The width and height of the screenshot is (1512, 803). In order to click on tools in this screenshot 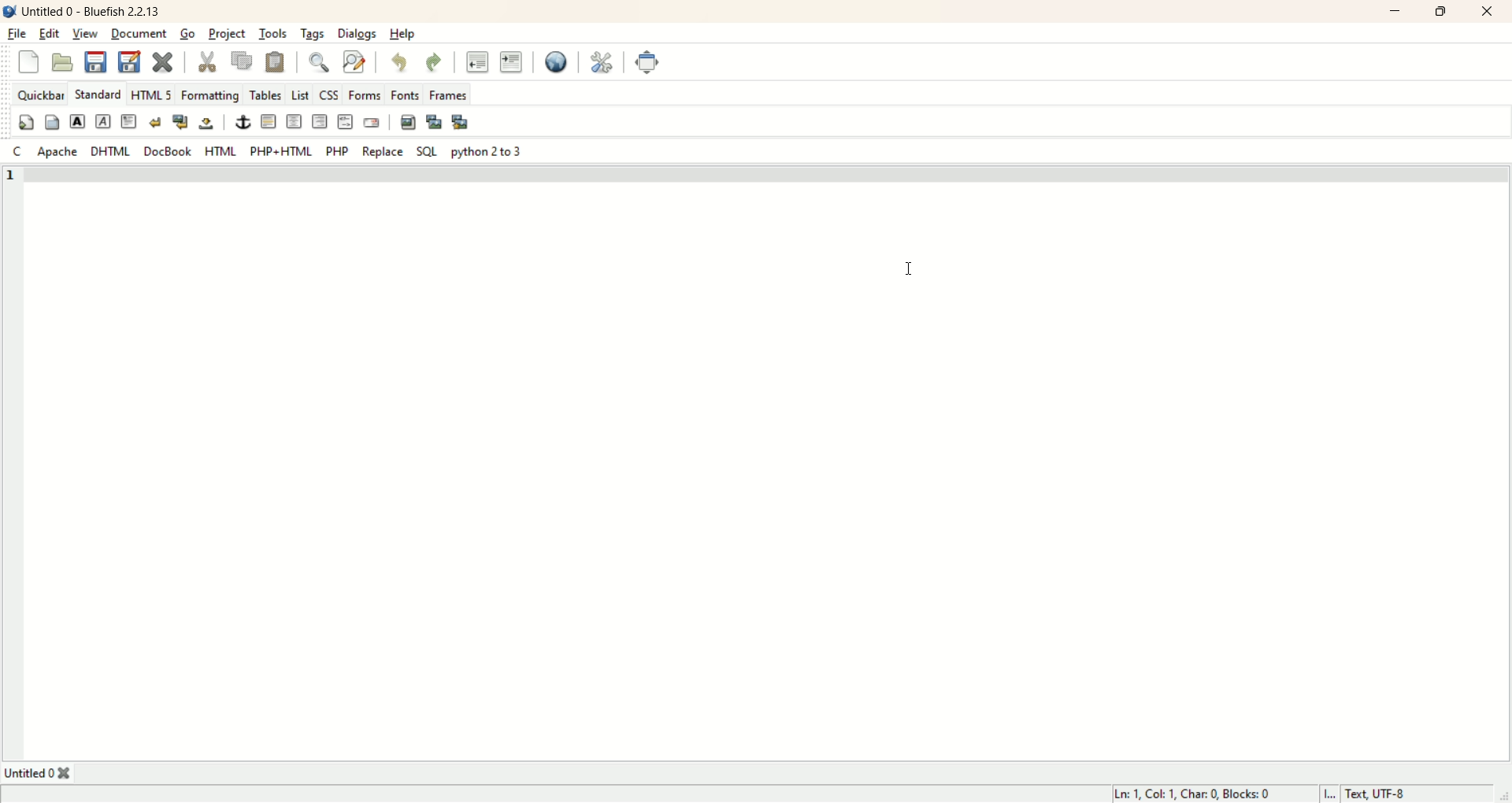, I will do `click(272, 34)`.